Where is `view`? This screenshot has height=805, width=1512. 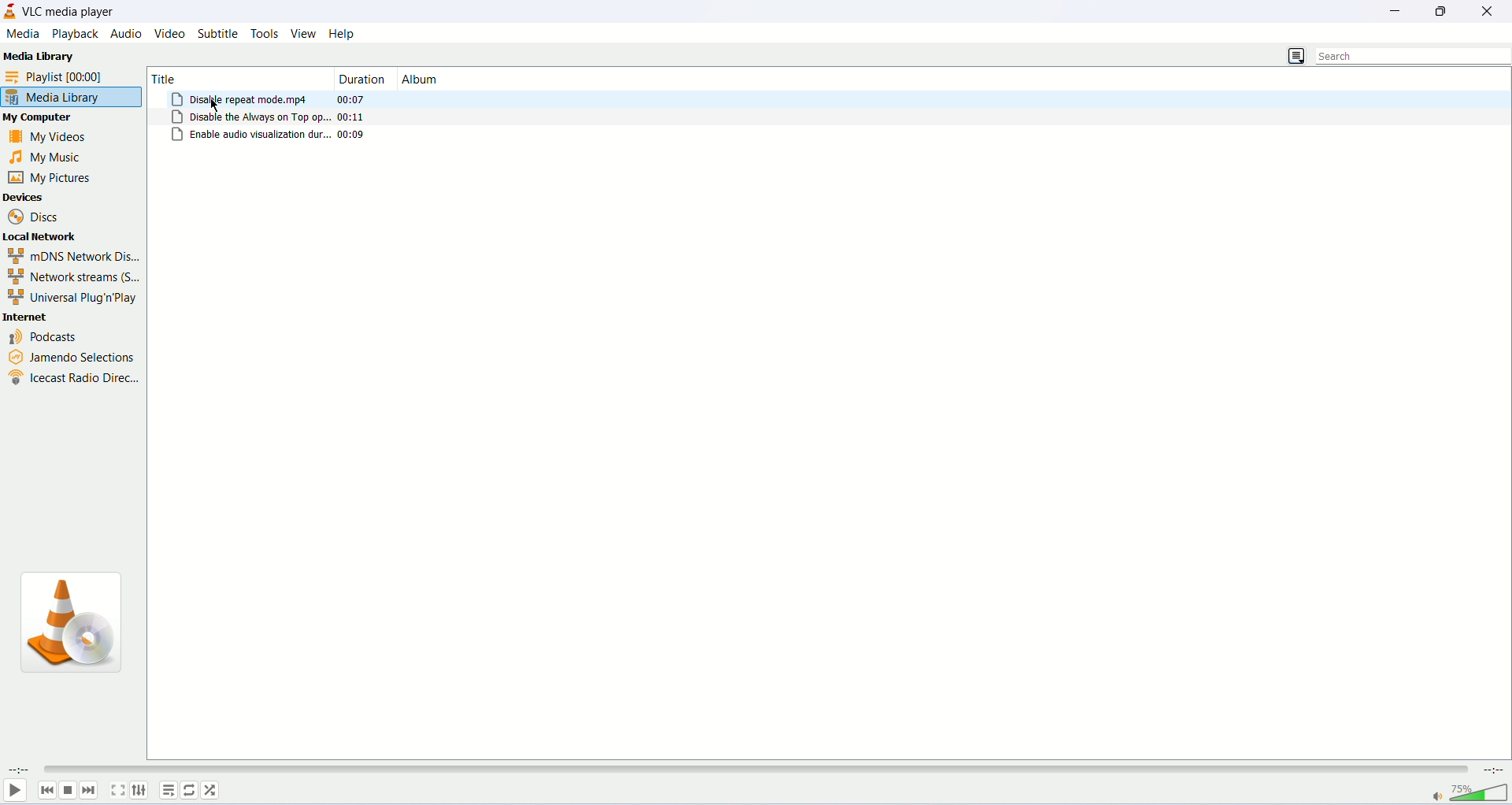 view is located at coordinates (303, 33).